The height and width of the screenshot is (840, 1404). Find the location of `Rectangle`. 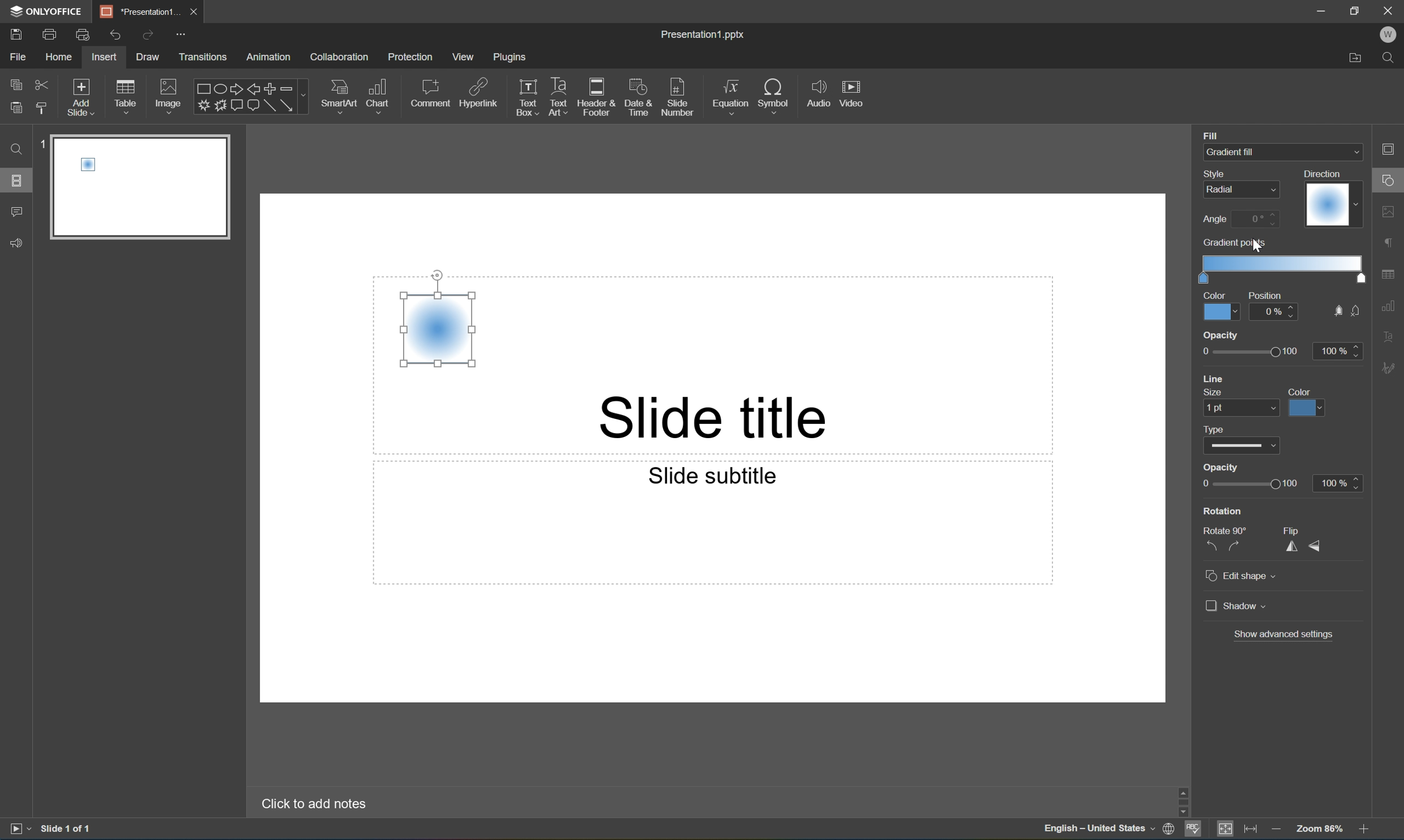

Rectangle is located at coordinates (201, 89).